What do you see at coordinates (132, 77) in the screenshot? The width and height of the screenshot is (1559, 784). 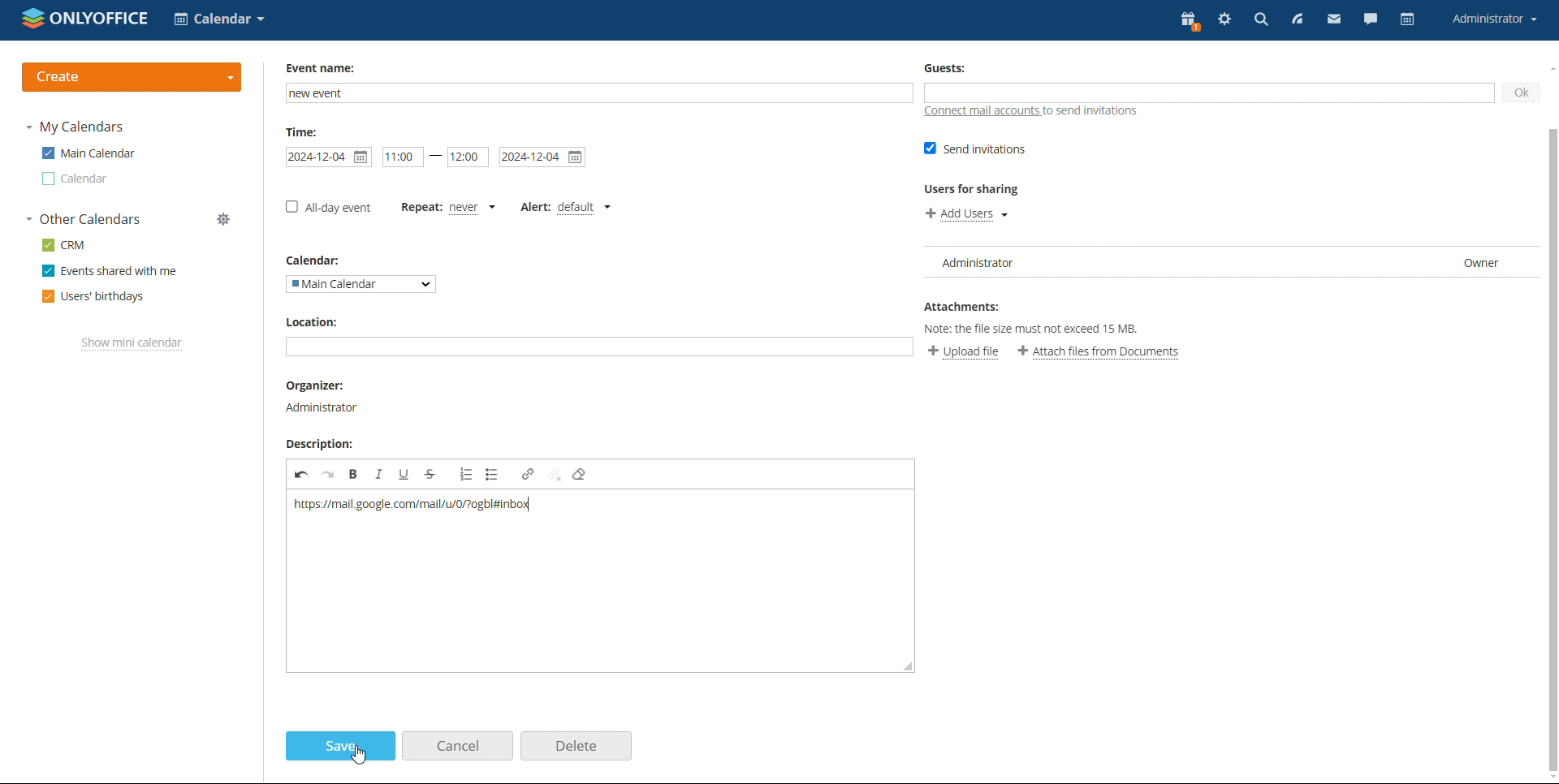 I see `create` at bounding box center [132, 77].